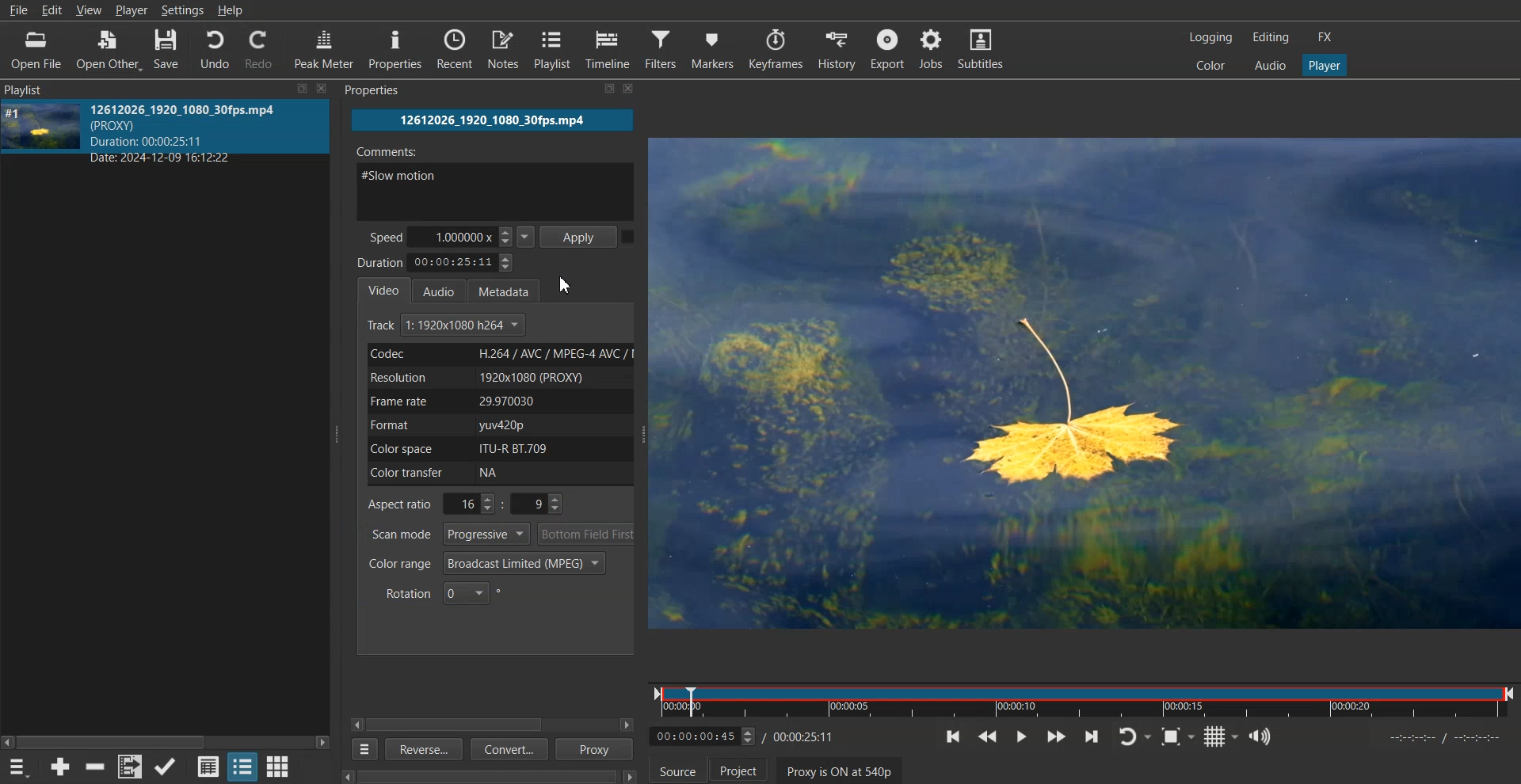 The image size is (1521, 784). I want to click on Skip to the previous point, so click(954, 736).